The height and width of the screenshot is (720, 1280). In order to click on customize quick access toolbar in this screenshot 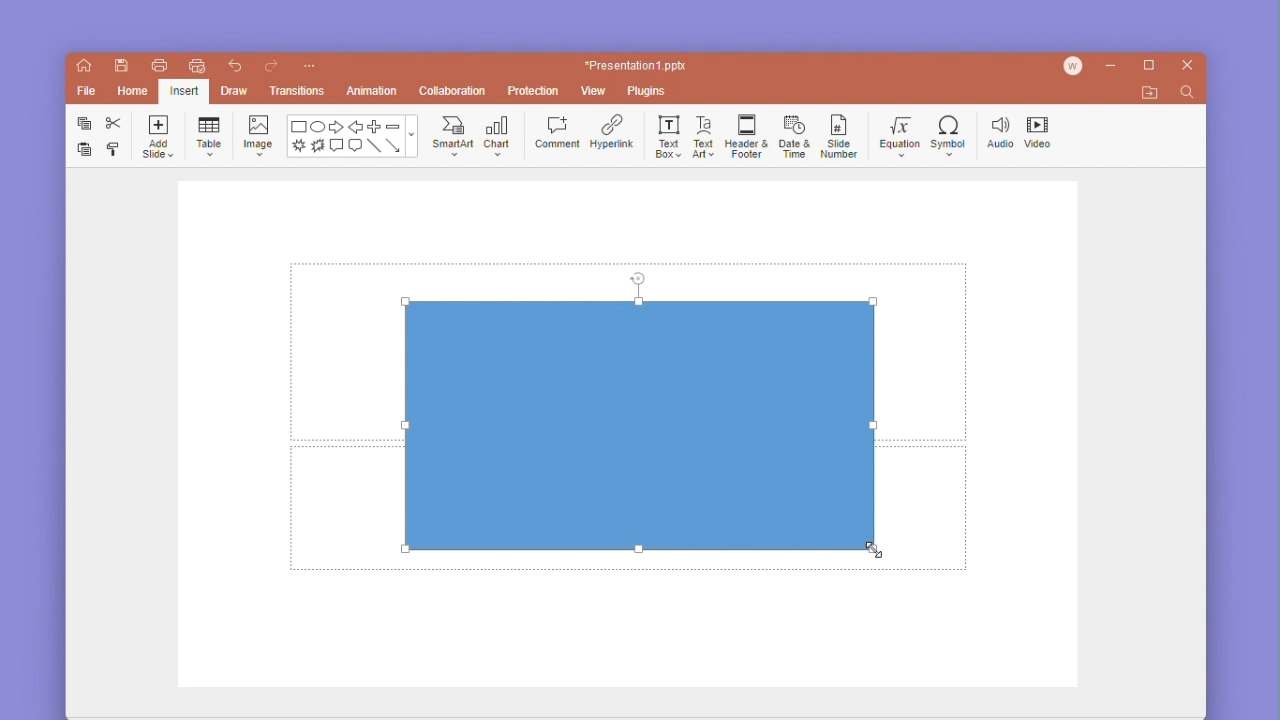, I will do `click(311, 64)`.